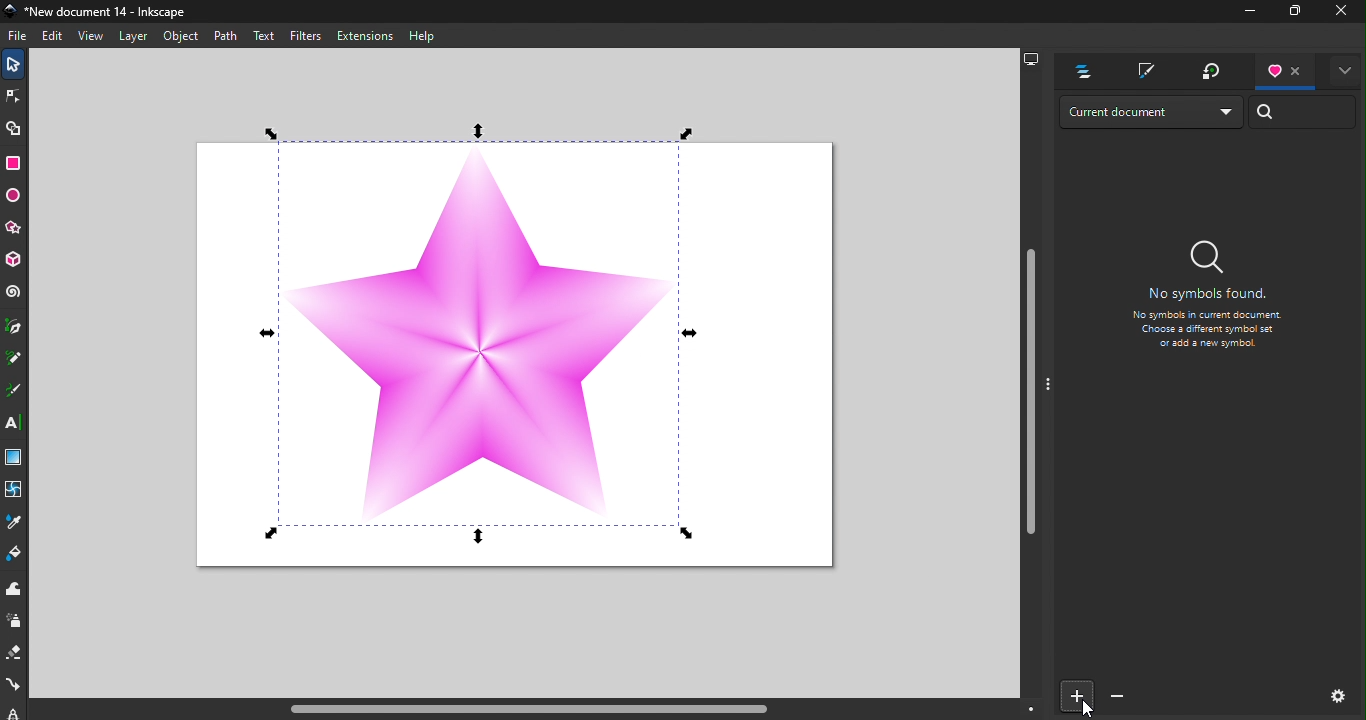 The height and width of the screenshot is (720, 1366). Describe the element at coordinates (10, 66) in the screenshot. I see `Selector tool` at that location.